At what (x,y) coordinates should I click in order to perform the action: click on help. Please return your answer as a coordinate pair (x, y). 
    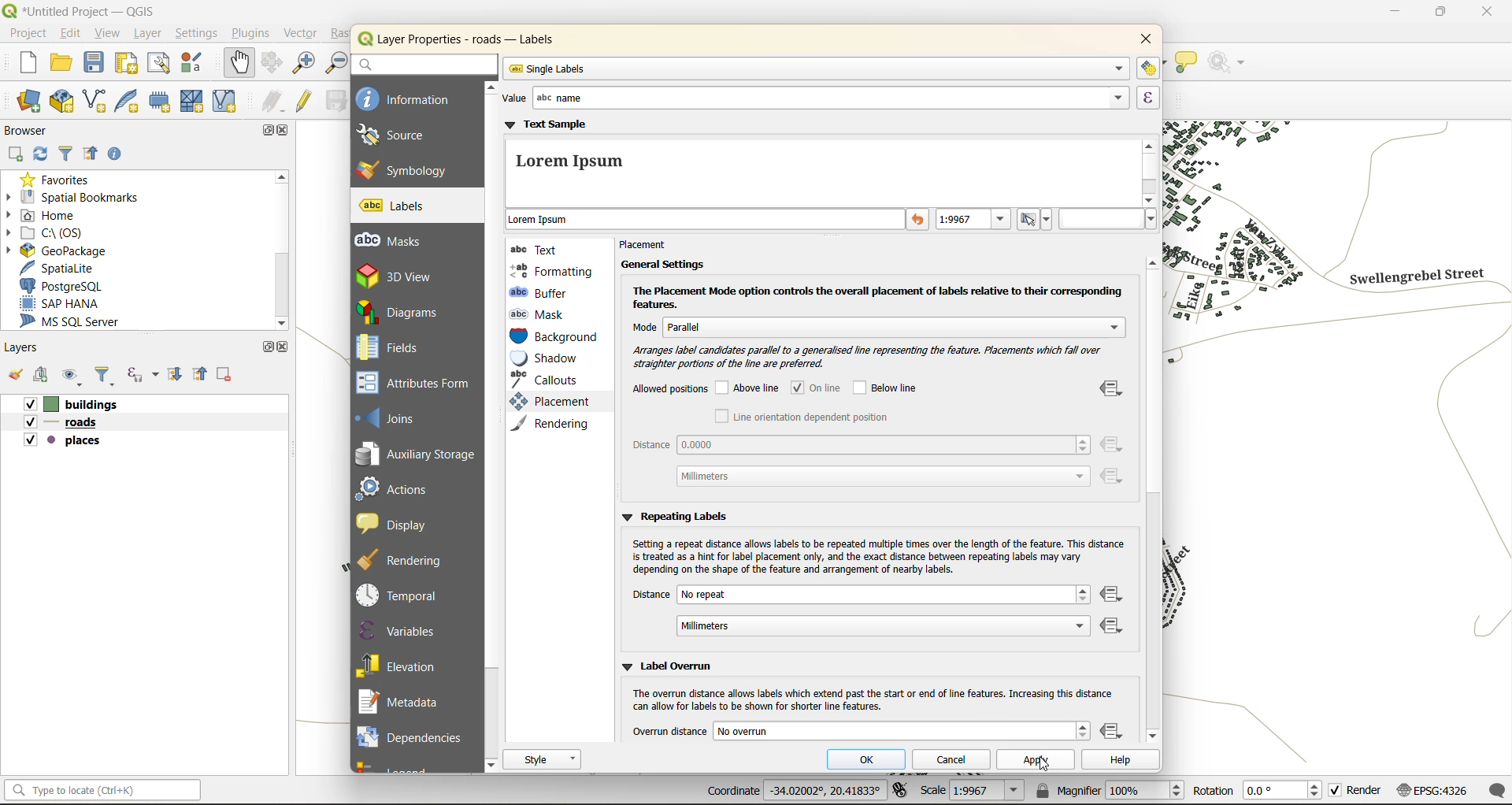
    Looking at the image, I should click on (1119, 762).